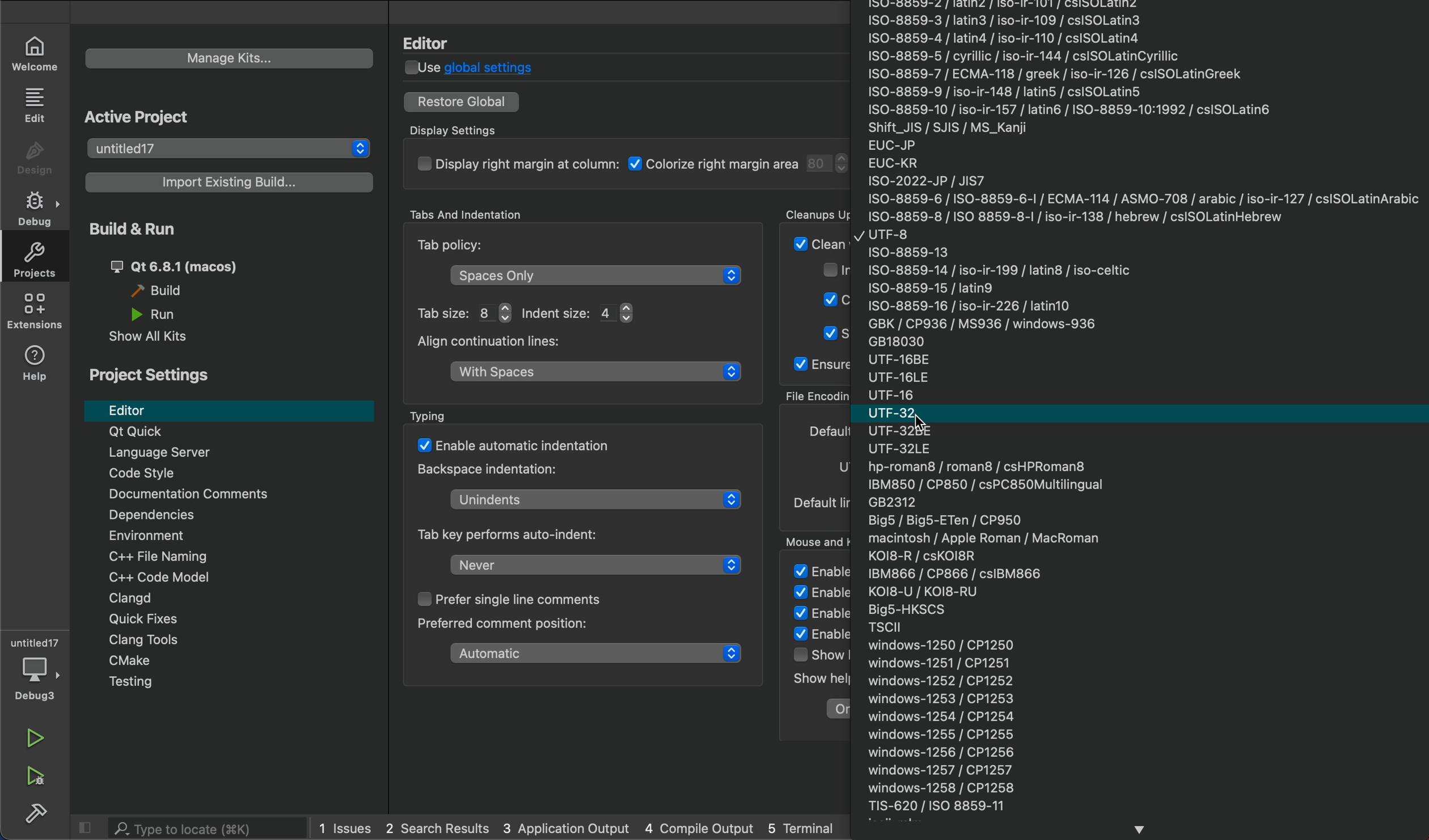 Image resolution: width=1429 pixels, height=840 pixels. What do you see at coordinates (582, 312) in the screenshot?
I see `Indent Size` at bounding box center [582, 312].